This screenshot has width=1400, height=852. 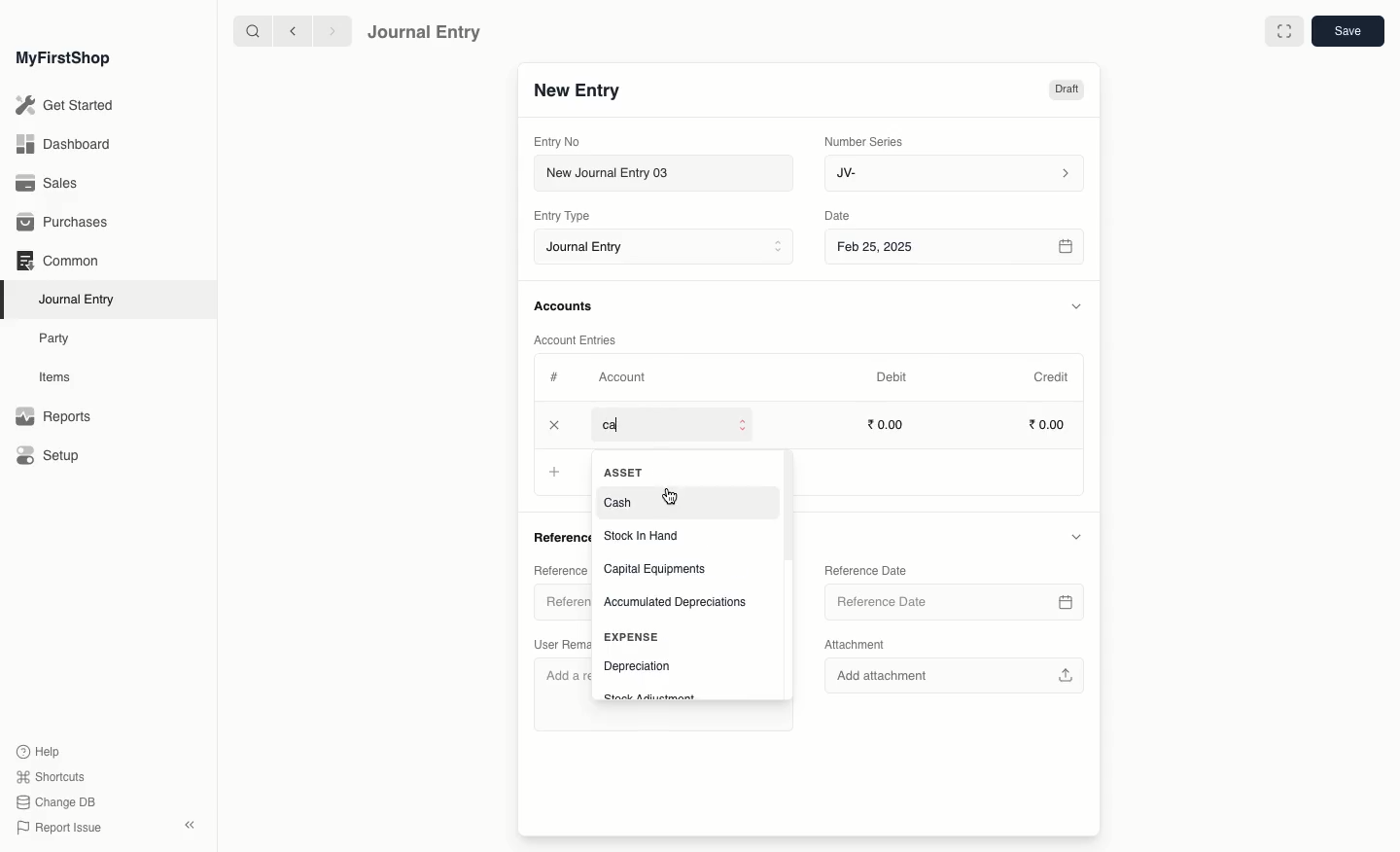 I want to click on Date, so click(x=838, y=216).